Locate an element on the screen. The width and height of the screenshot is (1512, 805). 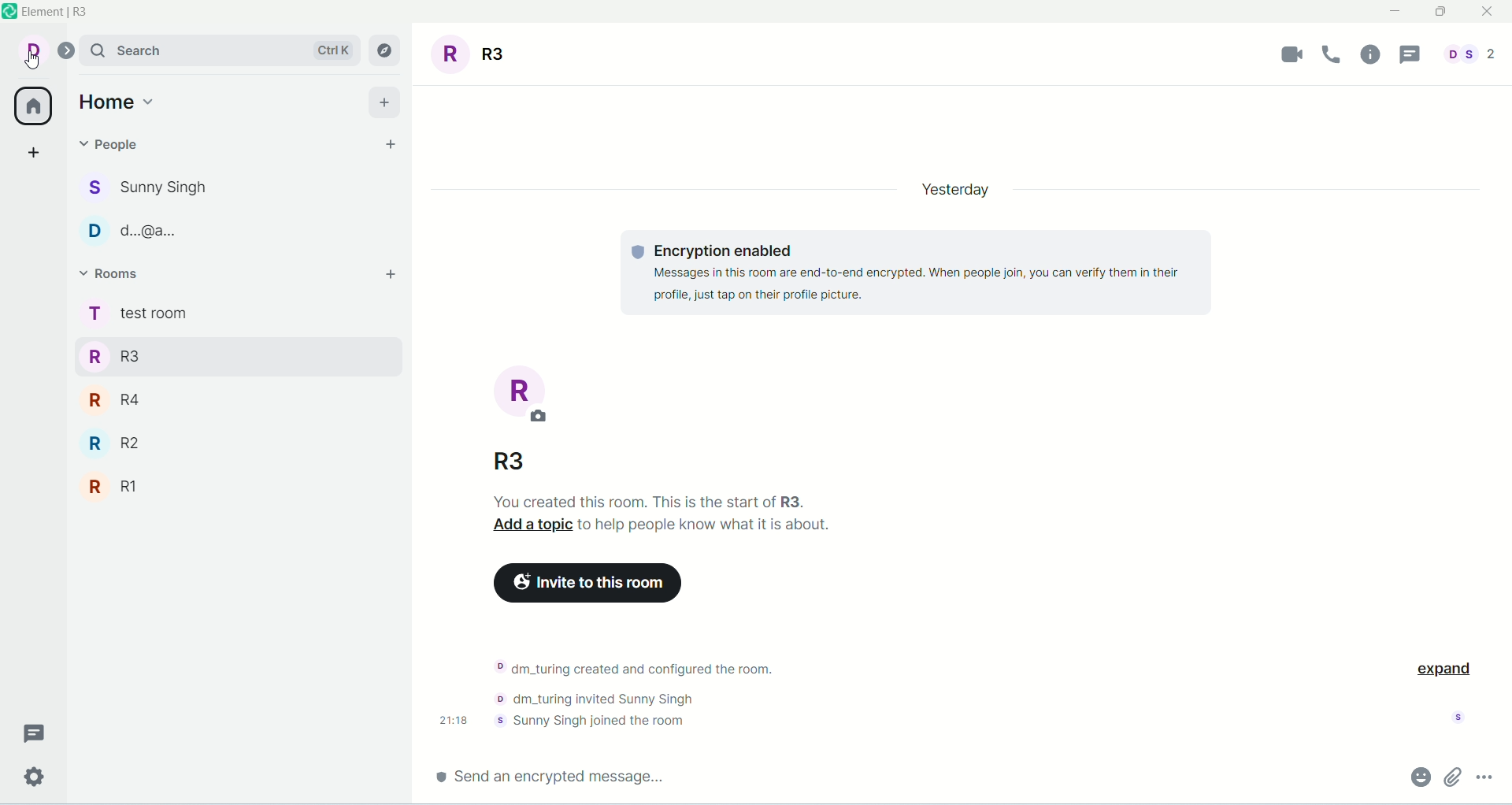
 is located at coordinates (146, 232).